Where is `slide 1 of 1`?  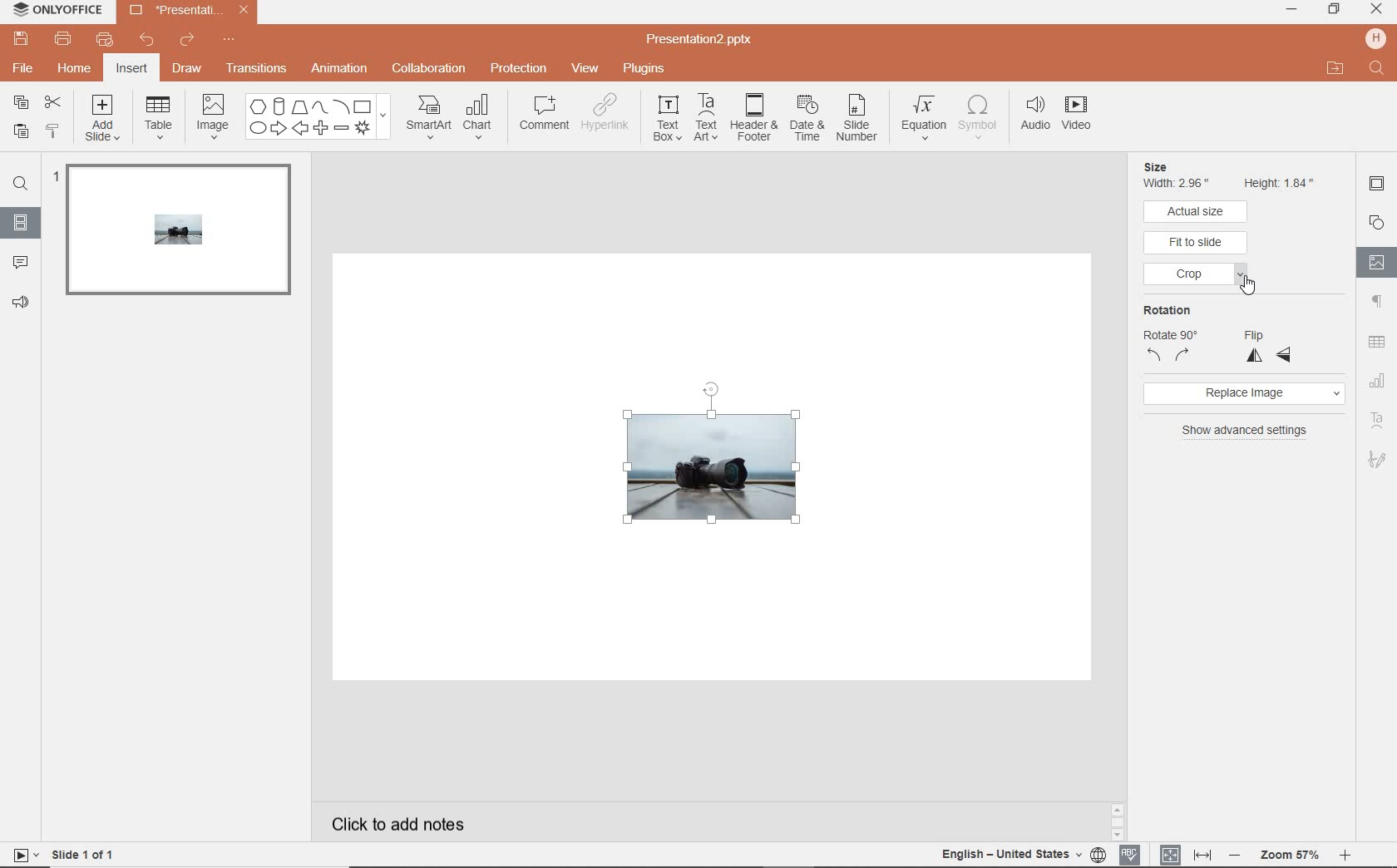
slide 1 of 1 is located at coordinates (62, 856).